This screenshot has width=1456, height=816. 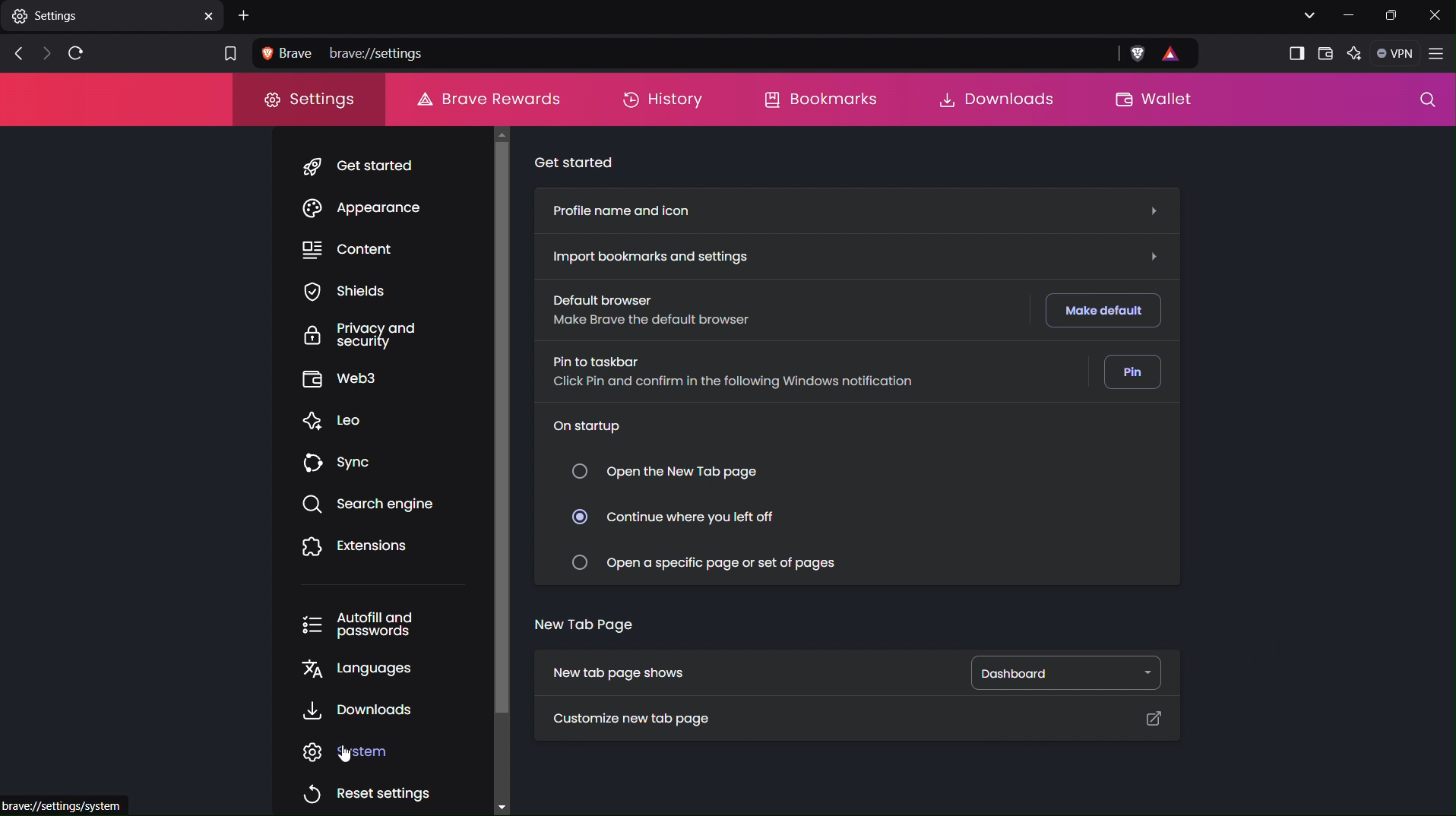 What do you see at coordinates (1393, 53) in the screenshot?
I see `VPN` at bounding box center [1393, 53].